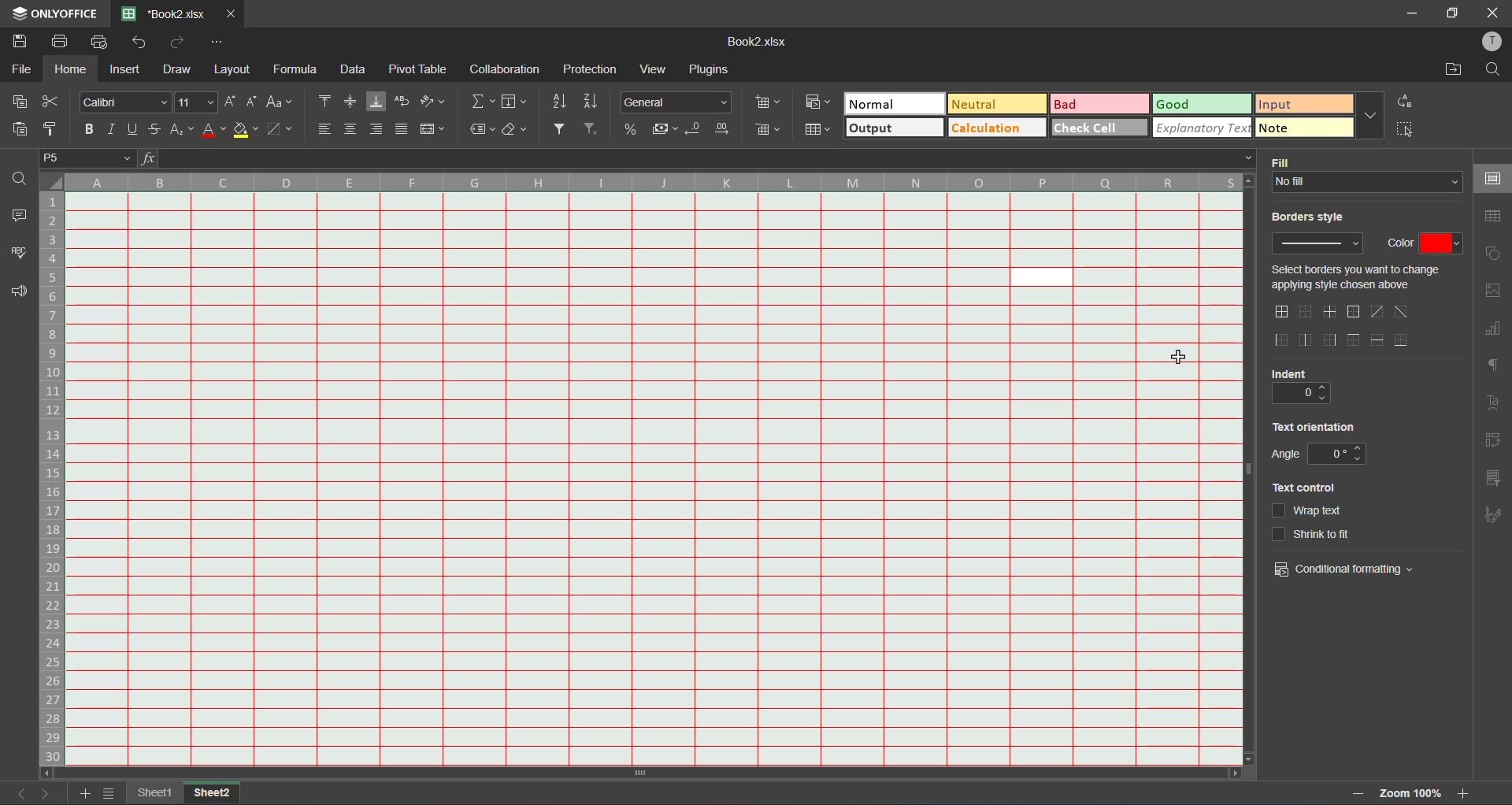  Describe the element at coordinates (1303, 374) in the screenshot. I see `indent` at that location.